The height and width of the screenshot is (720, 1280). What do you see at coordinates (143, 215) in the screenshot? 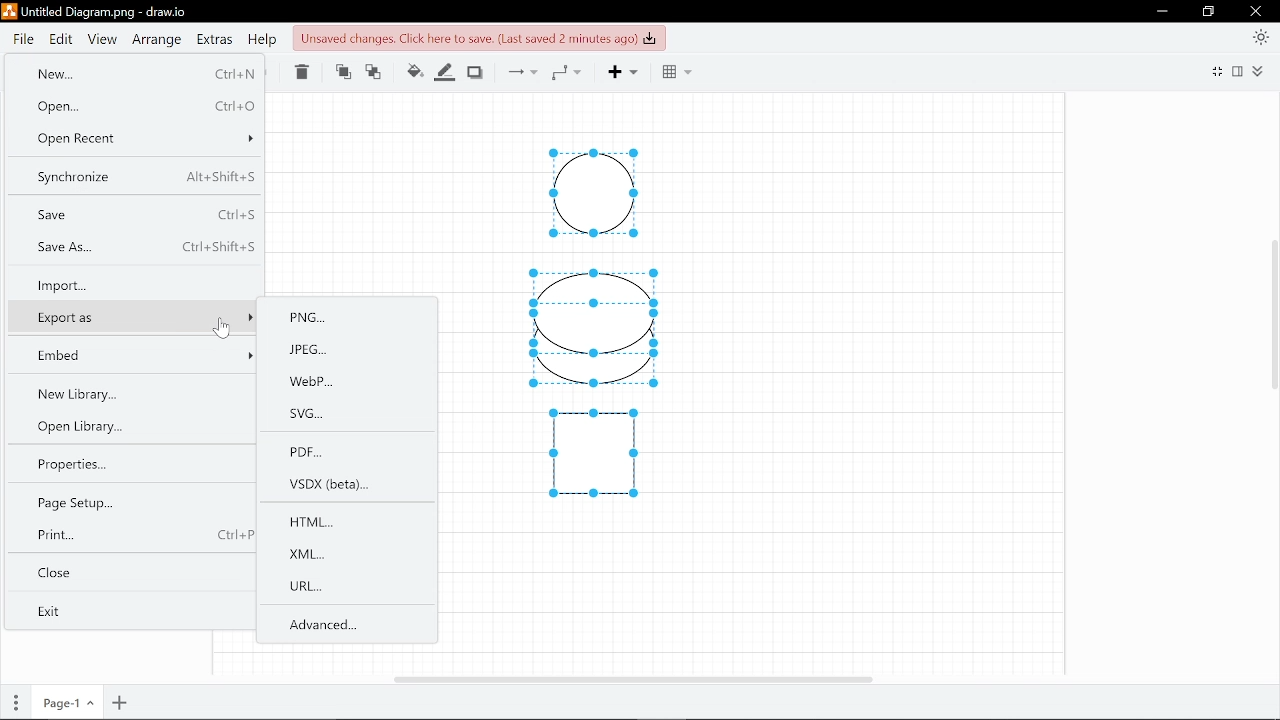
I see `Save` at bounding box center [143, 215].